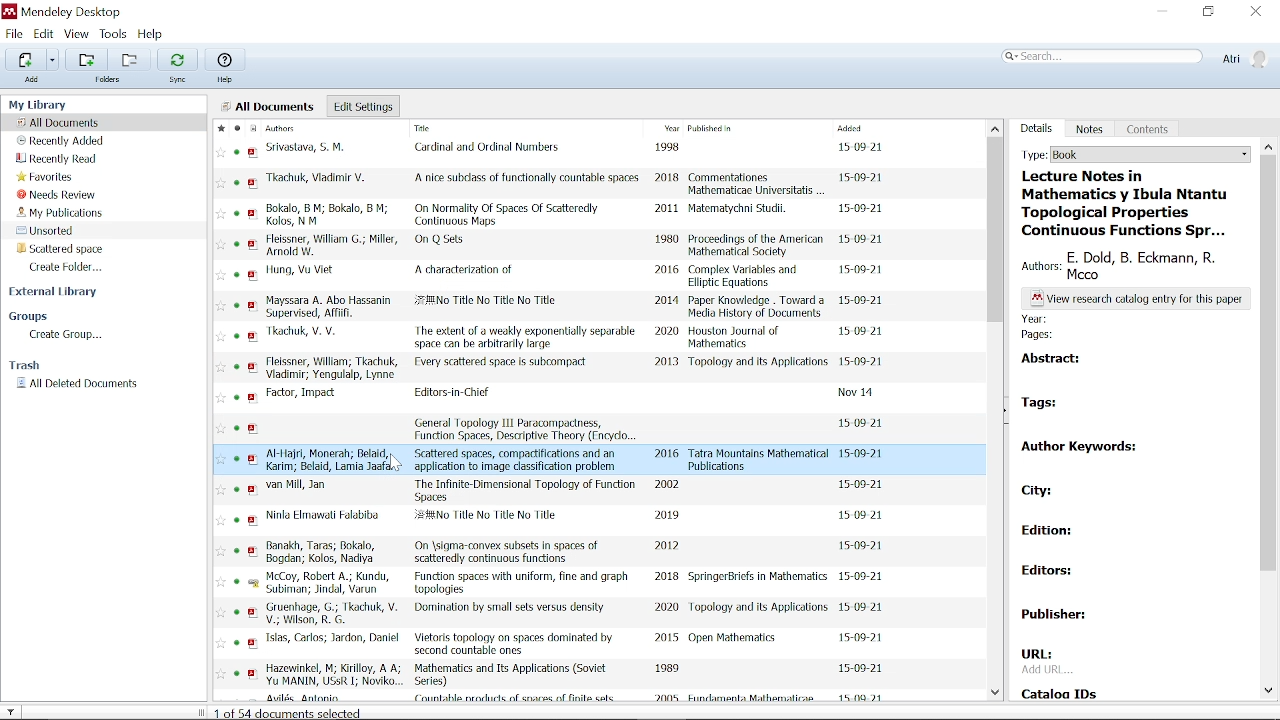 The image size is (1280, 720). I want to click on title, so click(523, 583).